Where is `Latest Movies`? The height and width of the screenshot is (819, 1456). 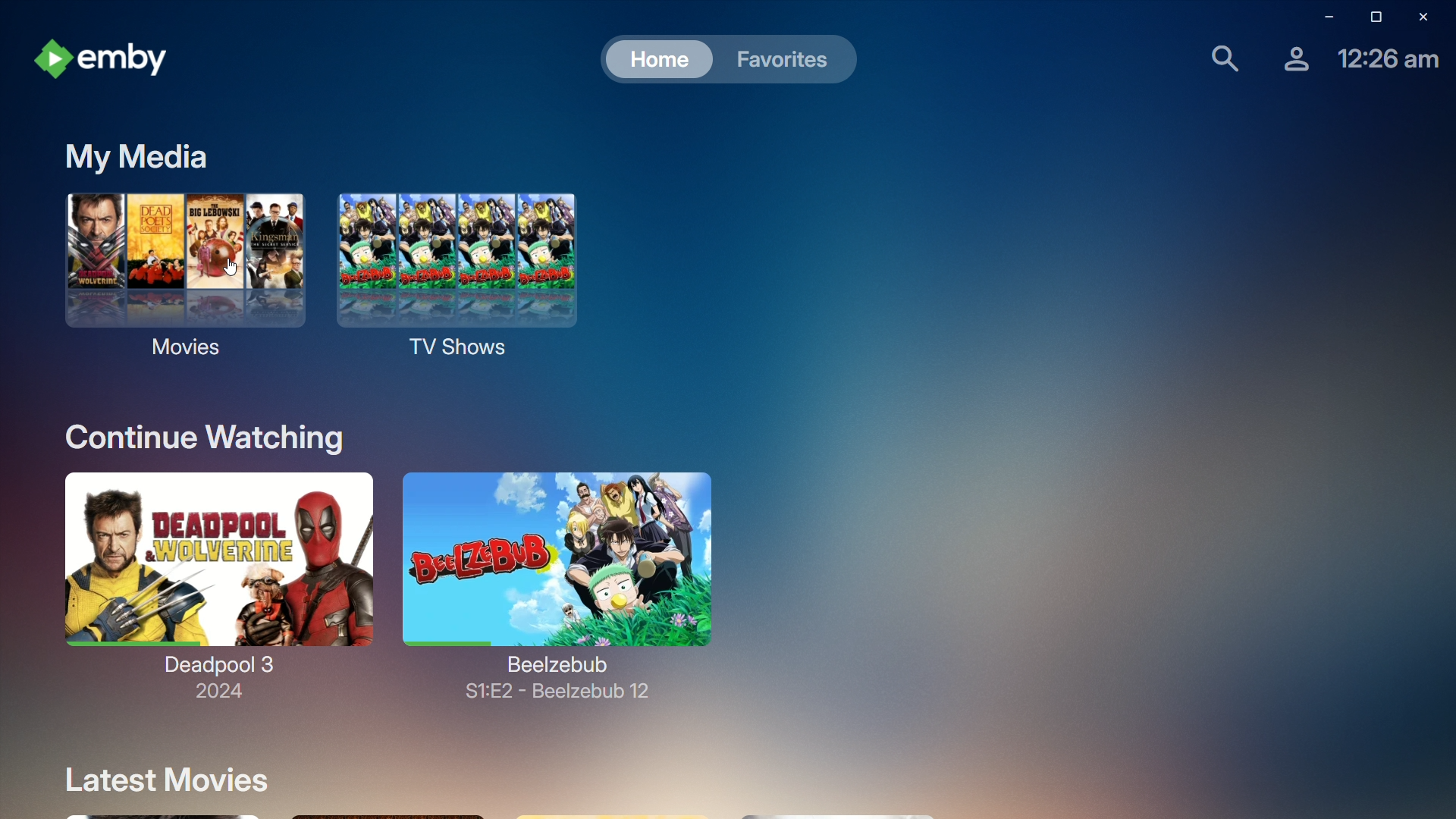 Latest Movies is located at coordinates (174, 780).